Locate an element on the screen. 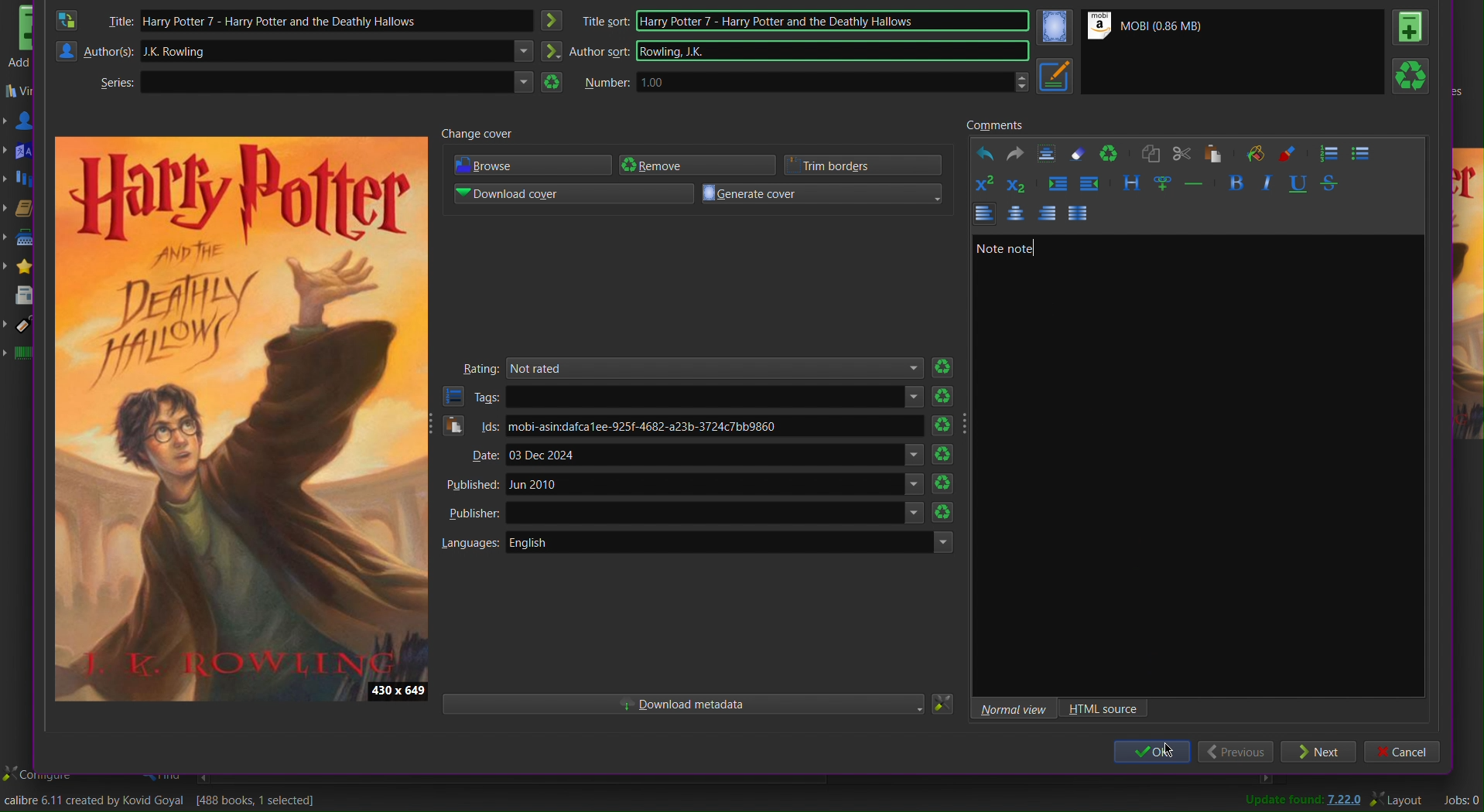  Ids is located at coordinates (471, 425).